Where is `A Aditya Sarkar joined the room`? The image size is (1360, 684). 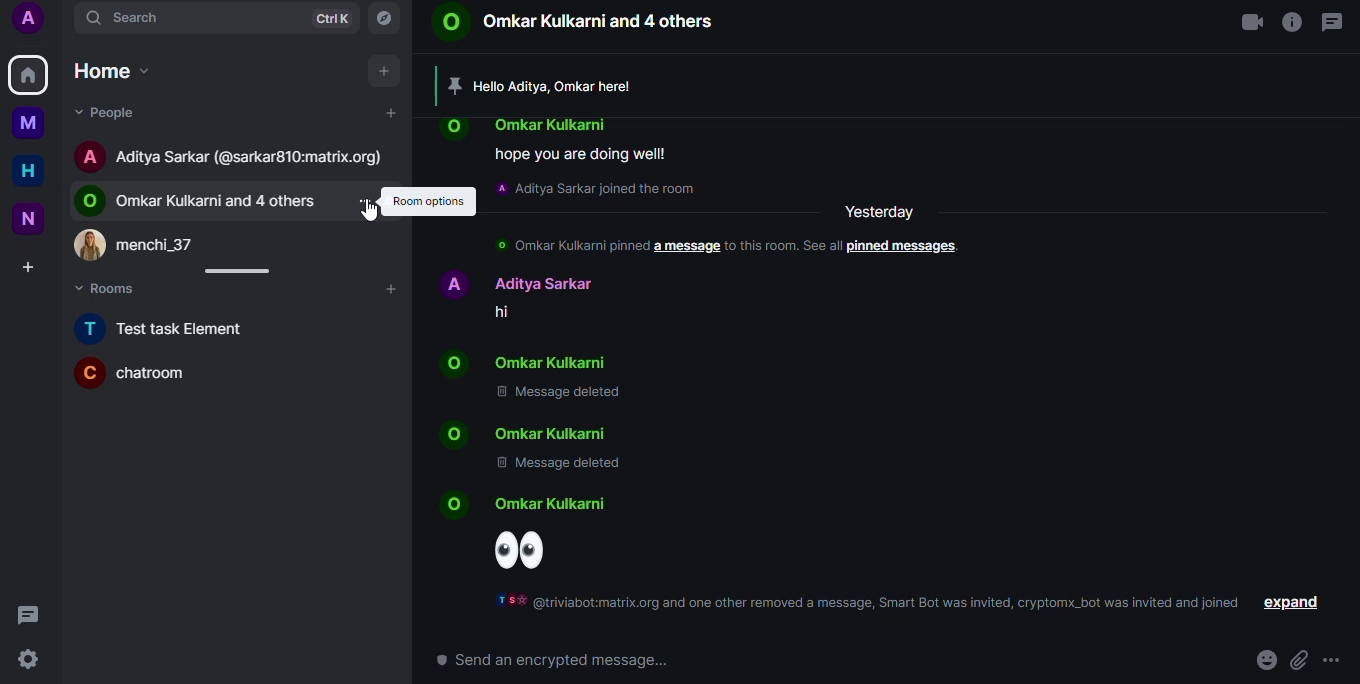 A Aditya Sarkar joined the room is located at coordinates (596, 189).